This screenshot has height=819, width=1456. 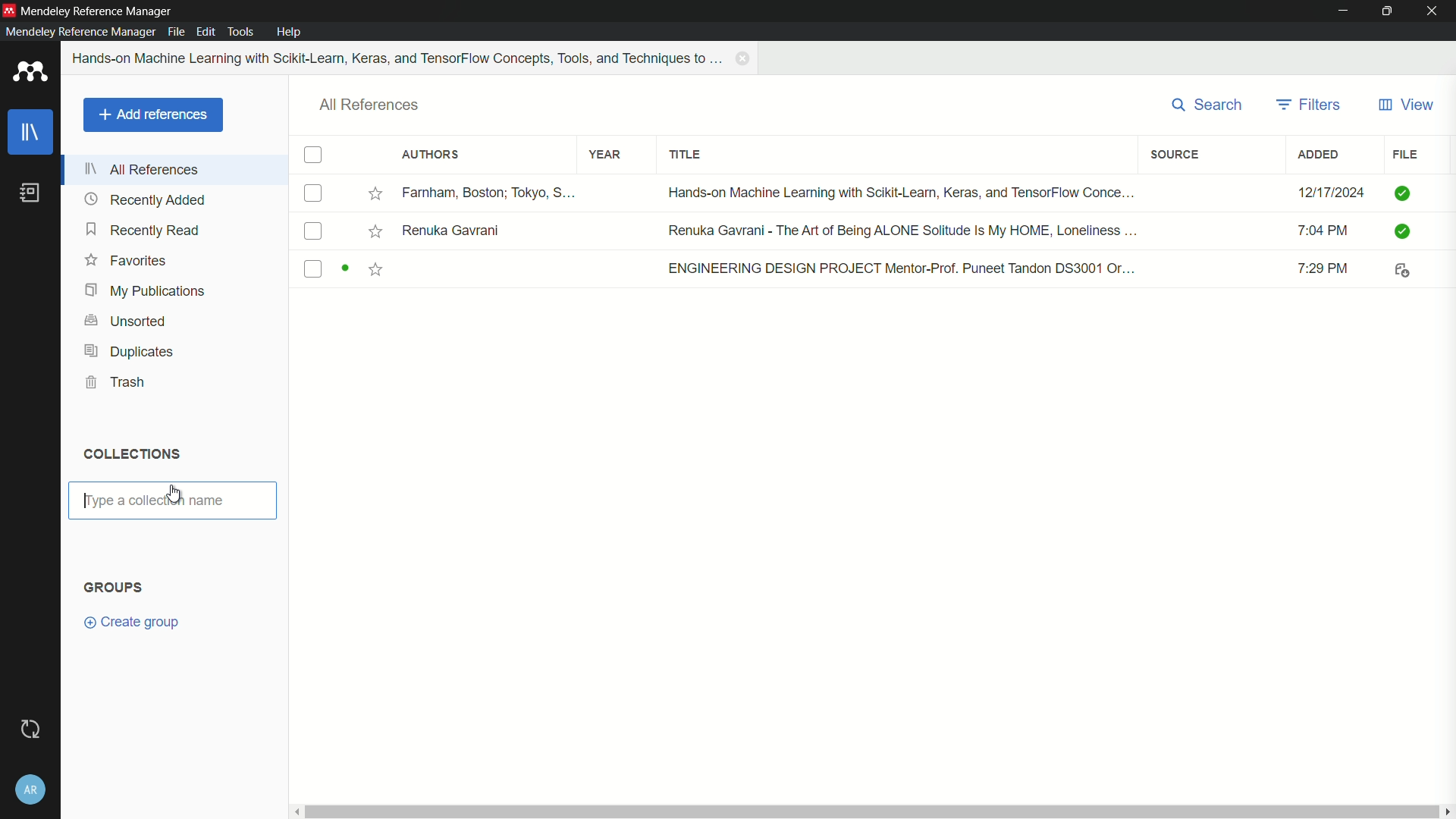 I want to click on unsorted, so click(x=128, y=319).